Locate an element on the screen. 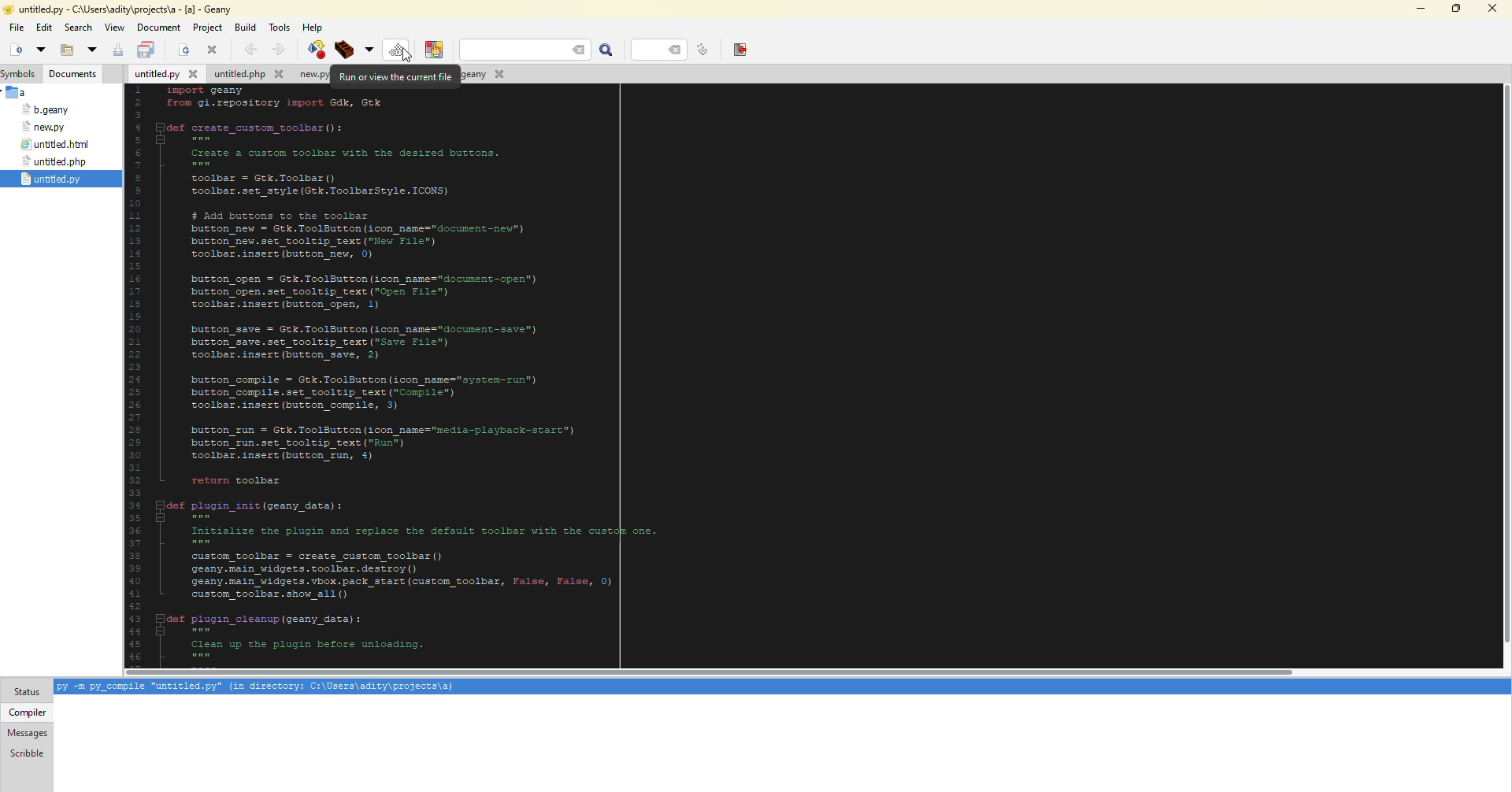  code is located at coordinates (387, 377).